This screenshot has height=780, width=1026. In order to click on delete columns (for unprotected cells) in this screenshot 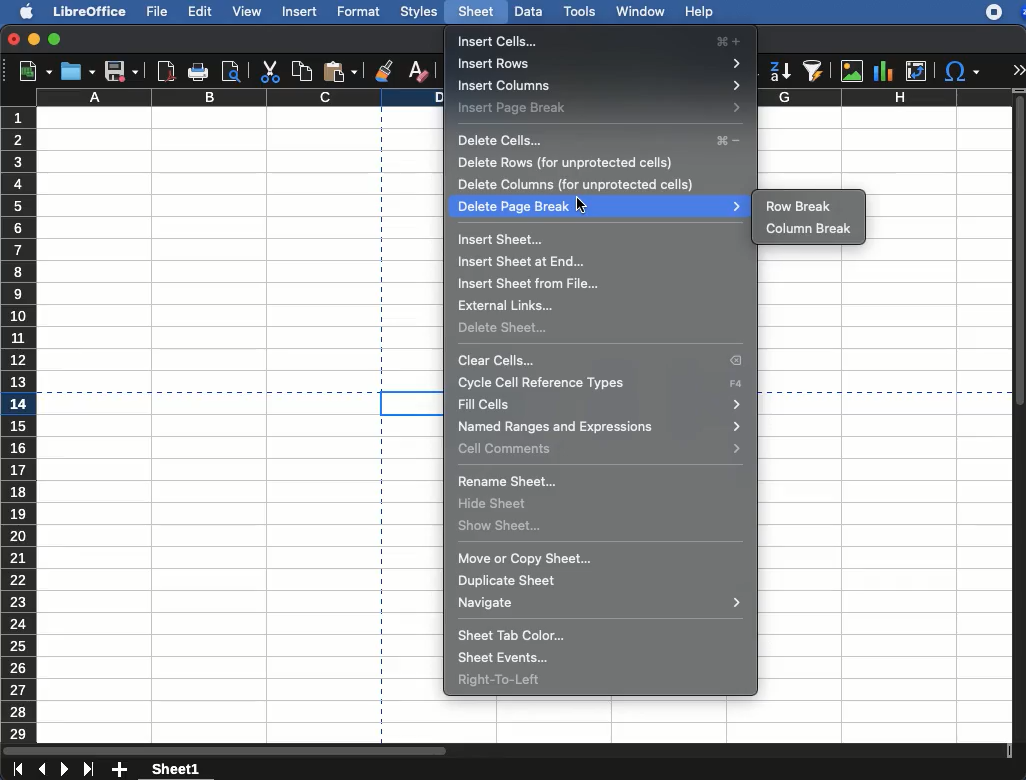, I will do `click(575, 184)`.